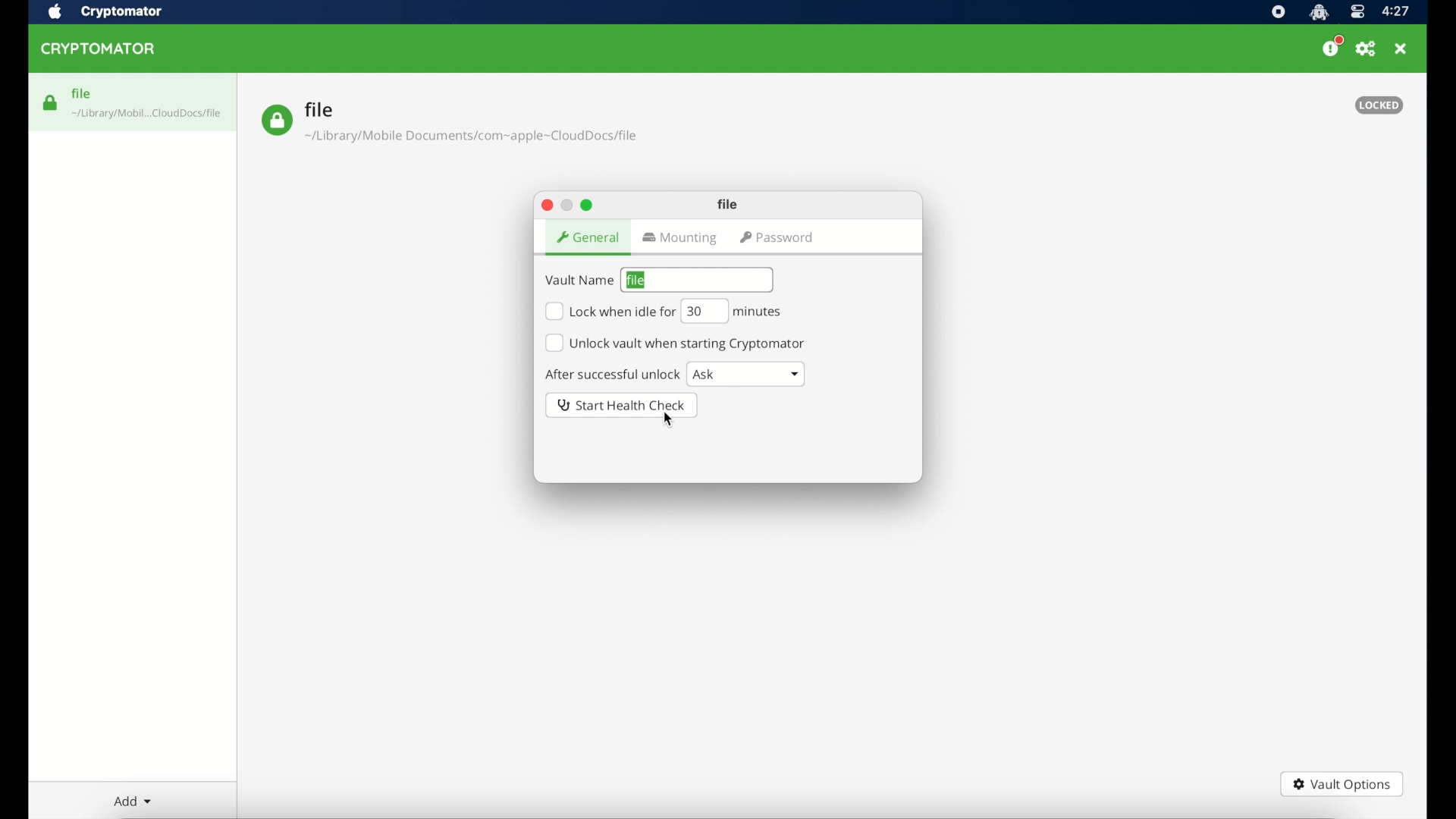 The width and height of the screenshot is (1456, 819). Describe the element at coordinates (101, 49) in the screenshot. I see `cryptomator` at that location.